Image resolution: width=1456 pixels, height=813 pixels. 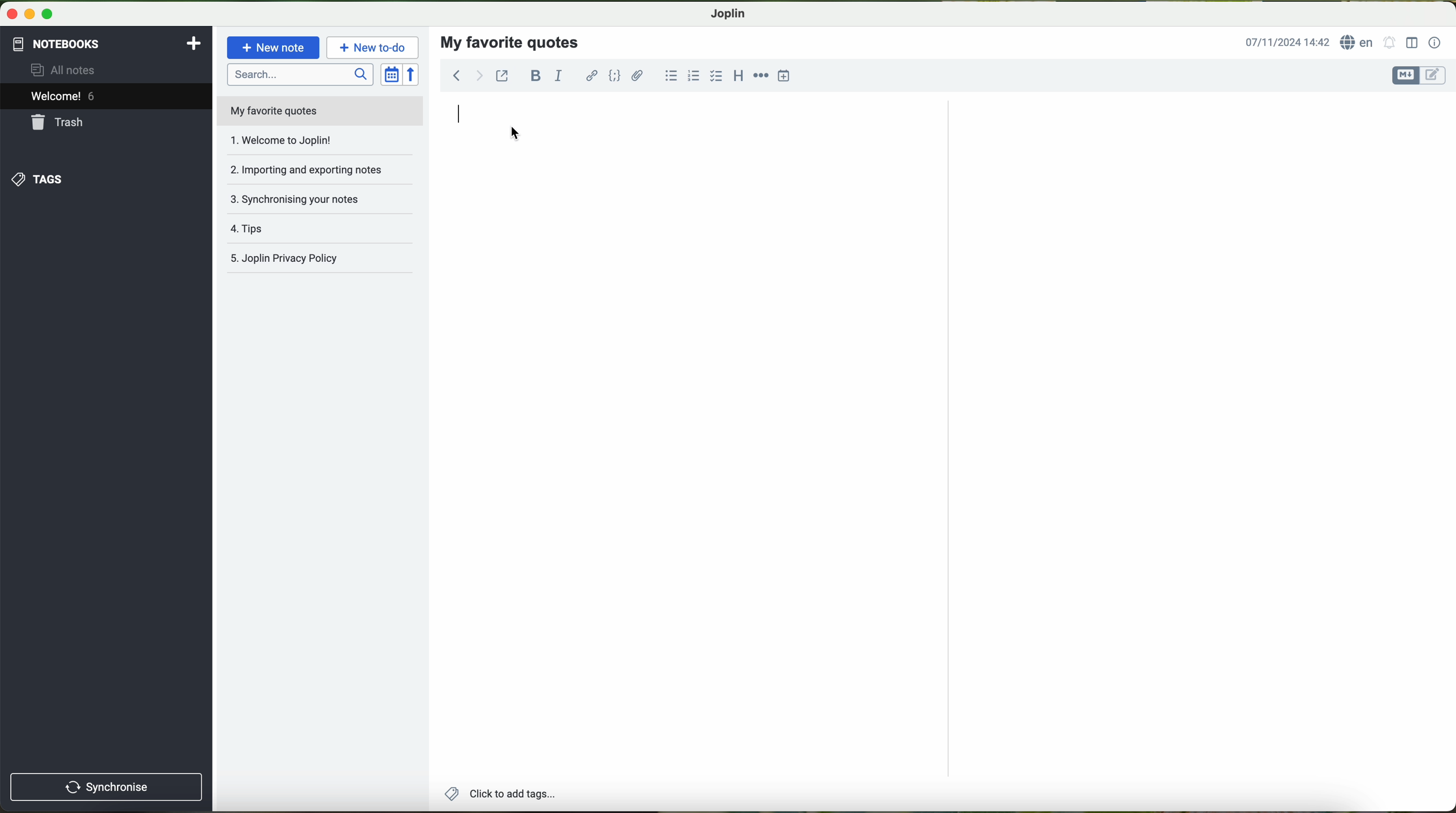 I want to click on bulleted list, so click(x=670, y=77).